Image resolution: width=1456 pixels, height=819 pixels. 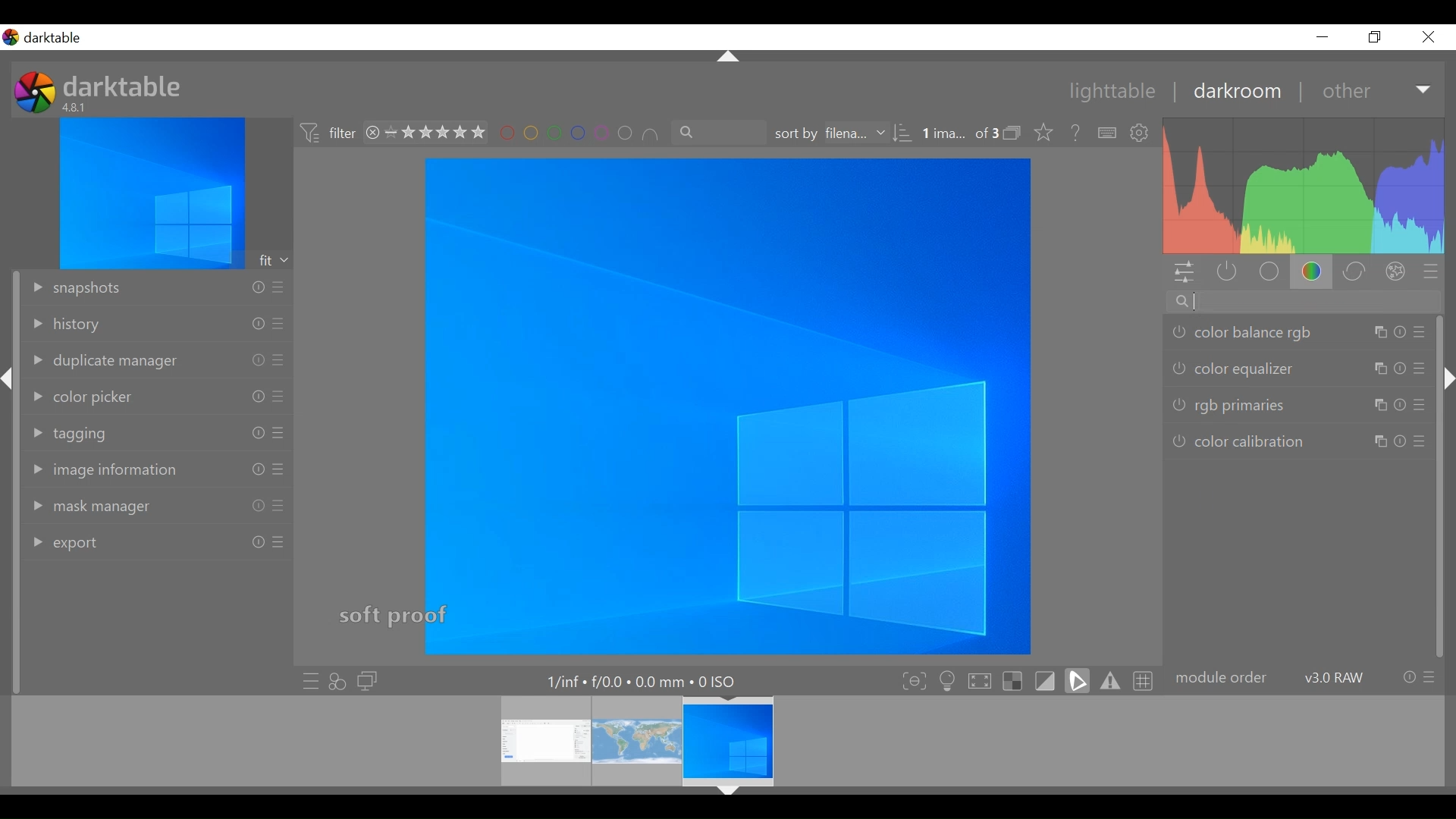 What do you see at coordinates (1230, 406) in the screenshot?
I see `rgb primaries` at bounding box center [1230, 406].